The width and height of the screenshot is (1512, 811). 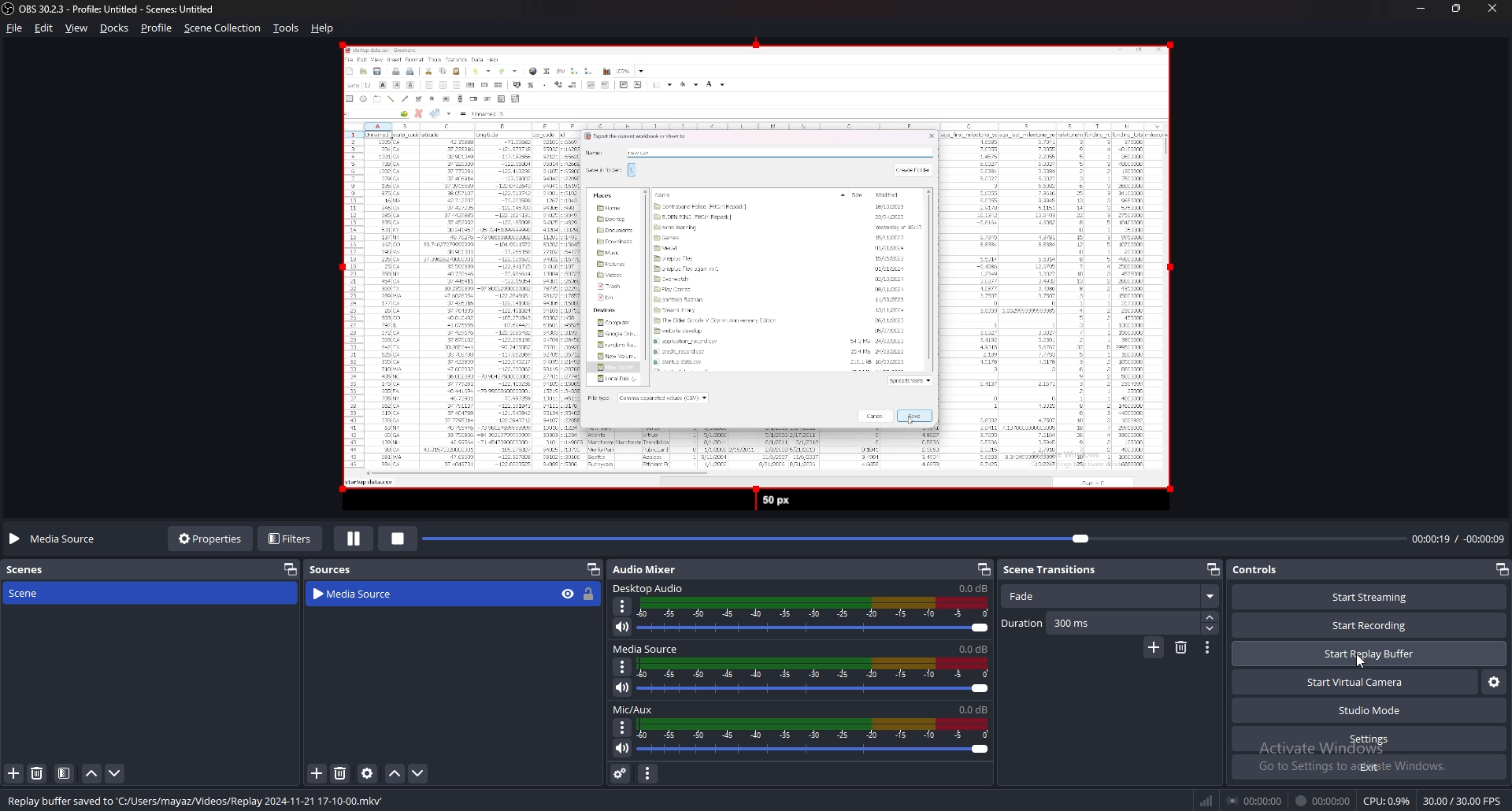 What do you see at coordinates (369, 773) in the screenshot?
I see `open source properties` at bounding box center [369, 773].